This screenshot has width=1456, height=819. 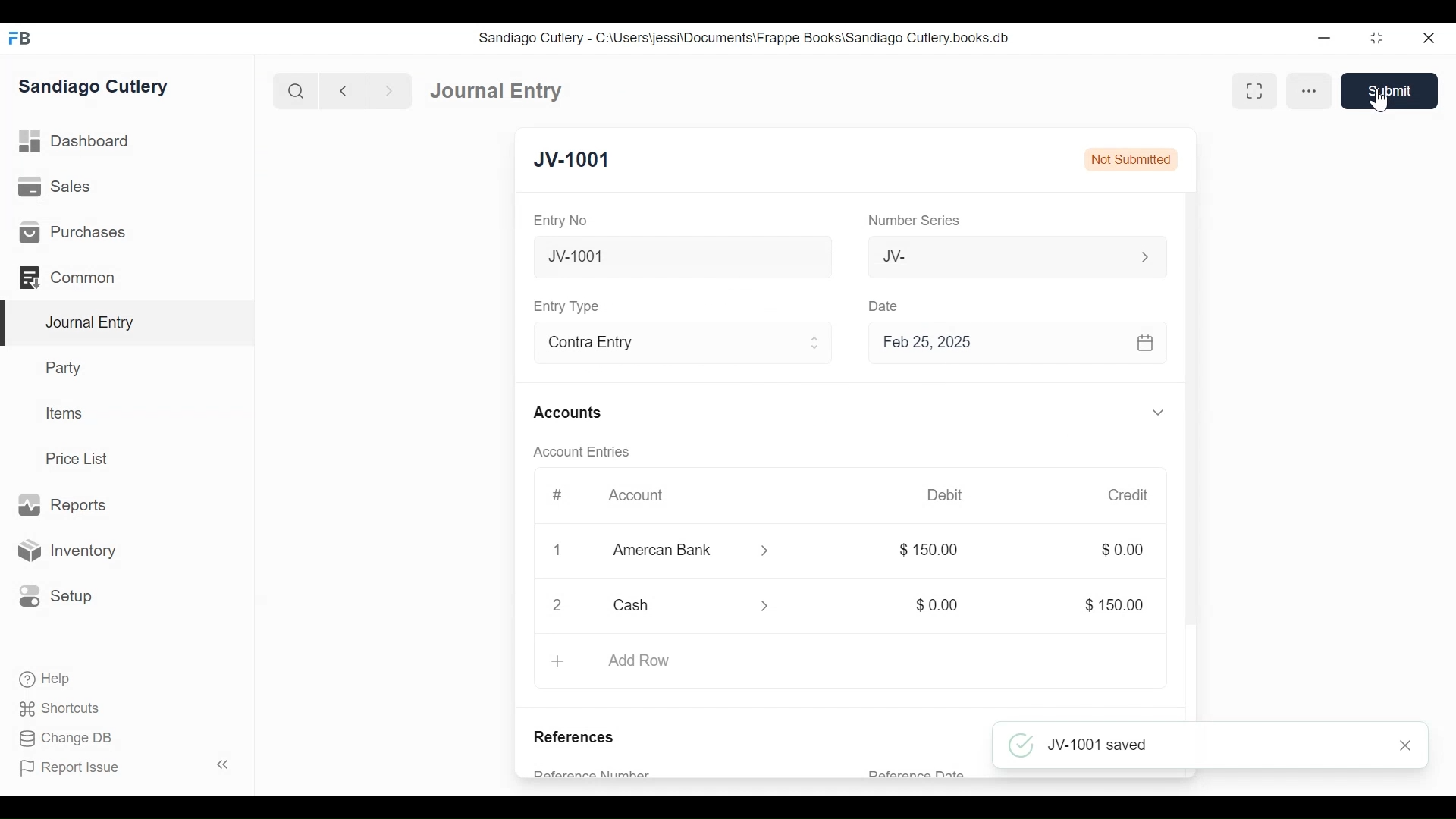 I want to click on Not Submitted, so click(x=1130, y=158).